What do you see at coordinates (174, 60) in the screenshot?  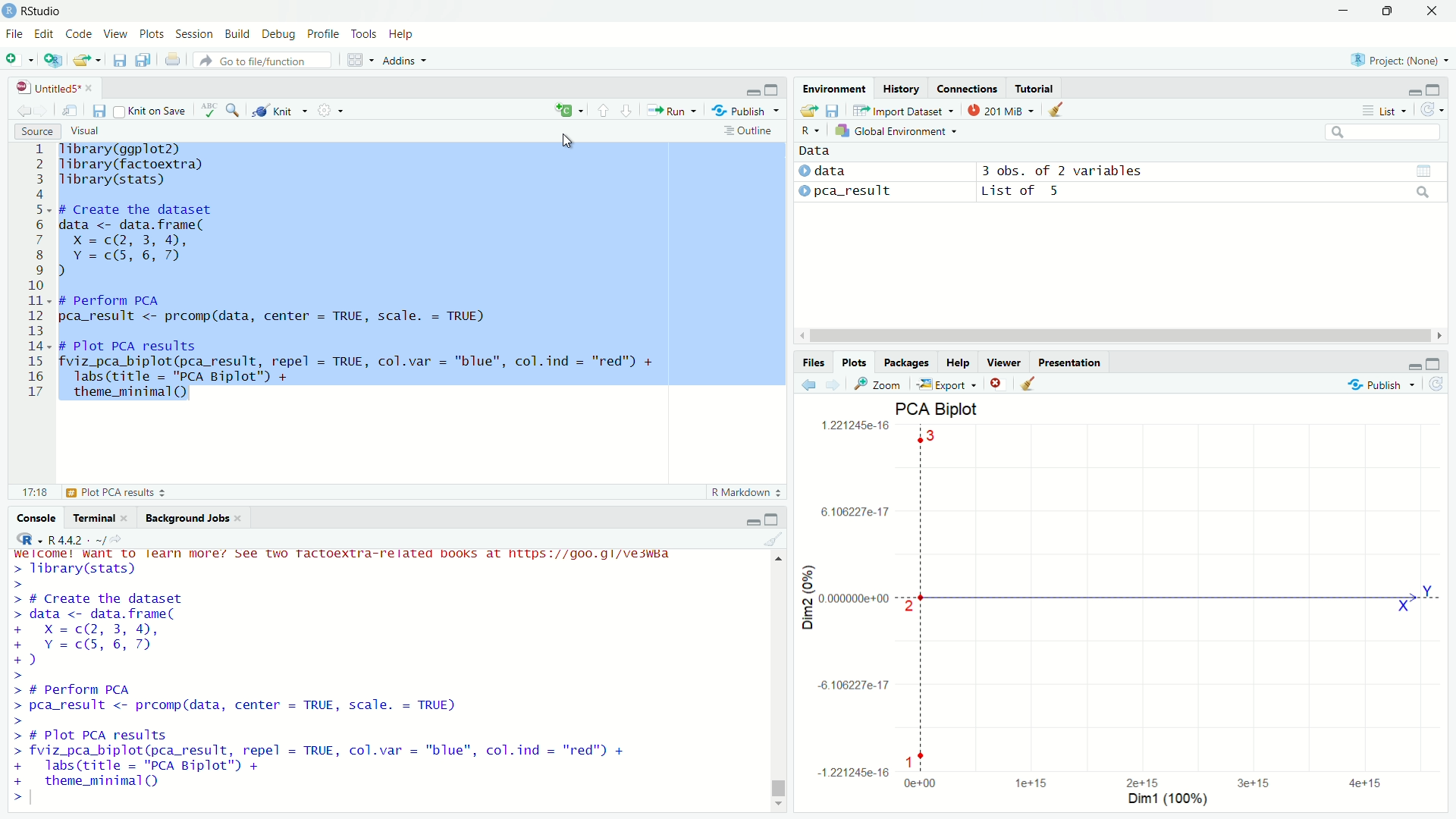 I see `print the current file` at bounding box center [174, 60].